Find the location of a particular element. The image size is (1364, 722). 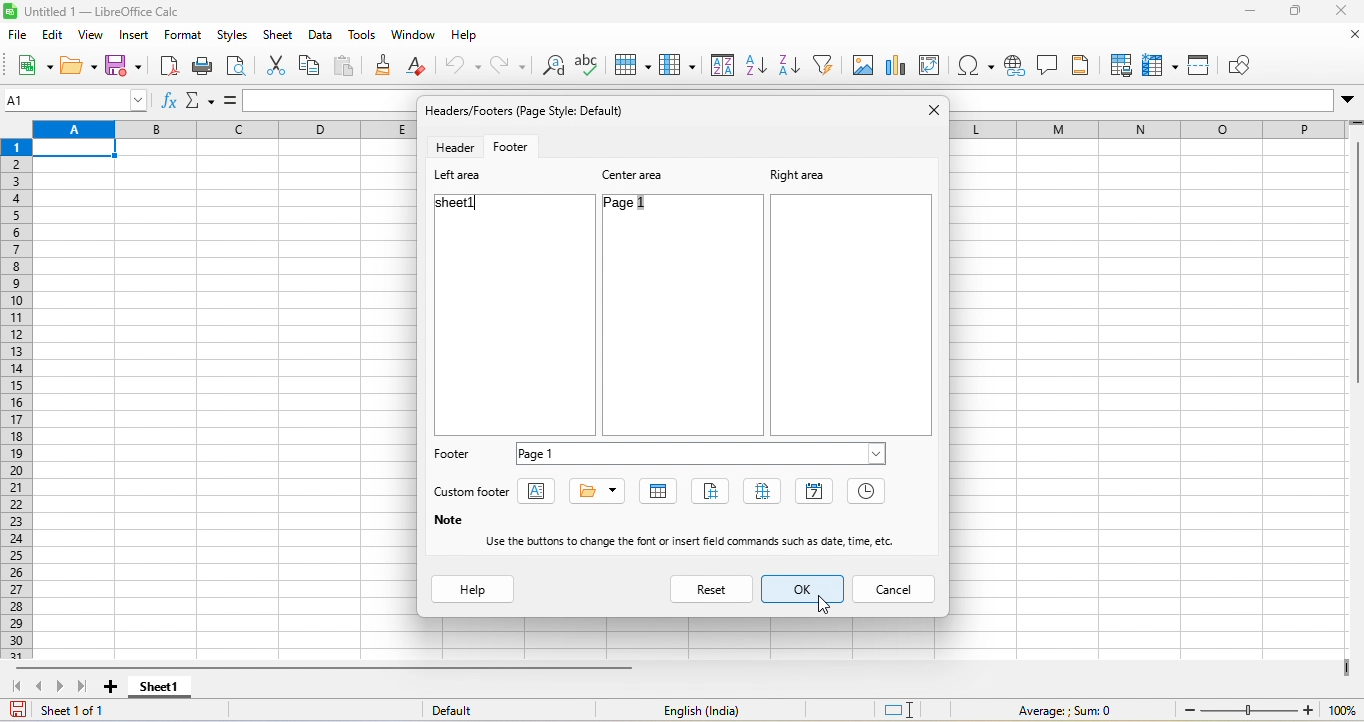

sort ascending is located at coordinates (757, 65).